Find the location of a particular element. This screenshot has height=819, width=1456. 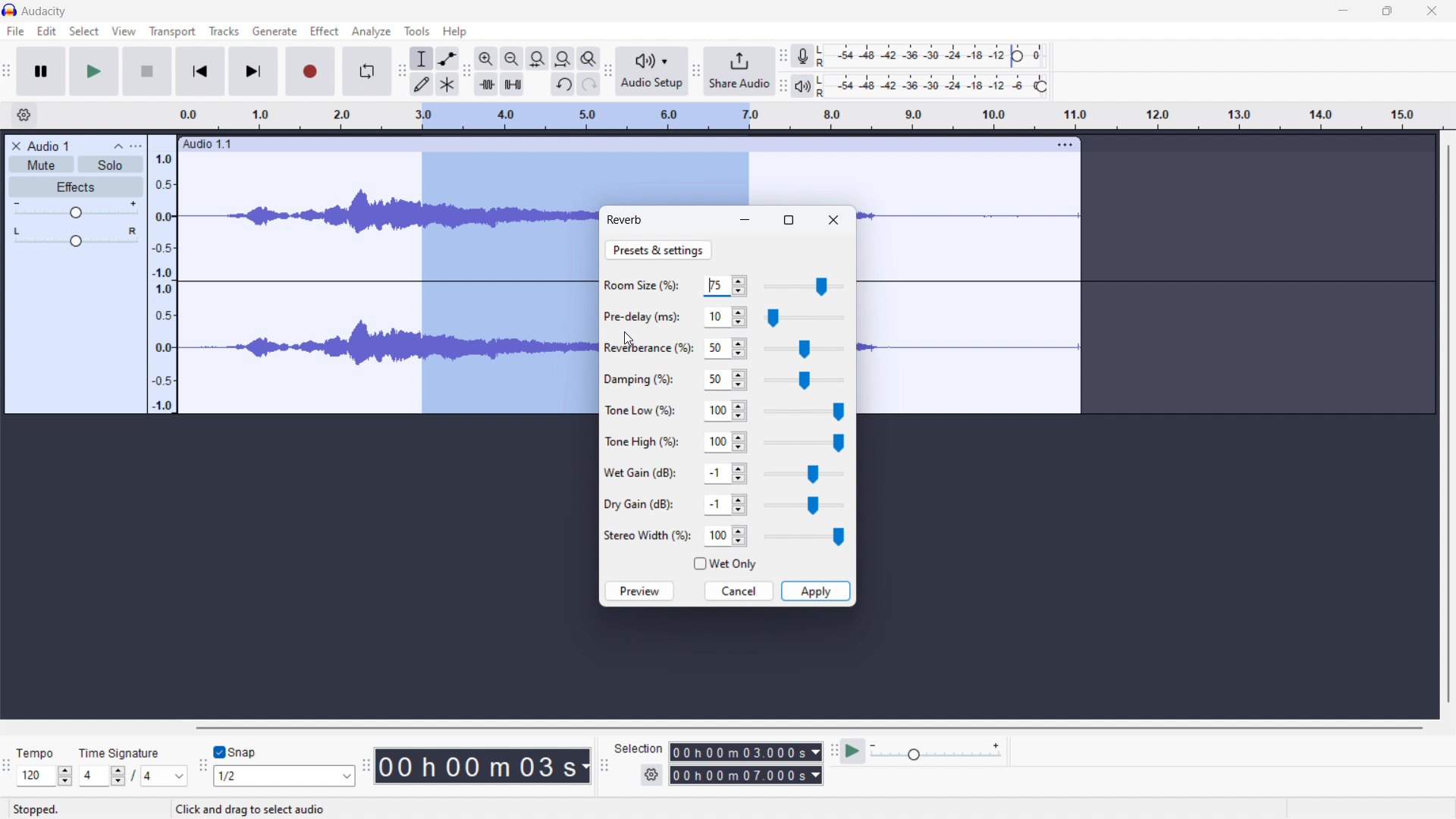

dry gain slider is located at coordinates (804, 506).